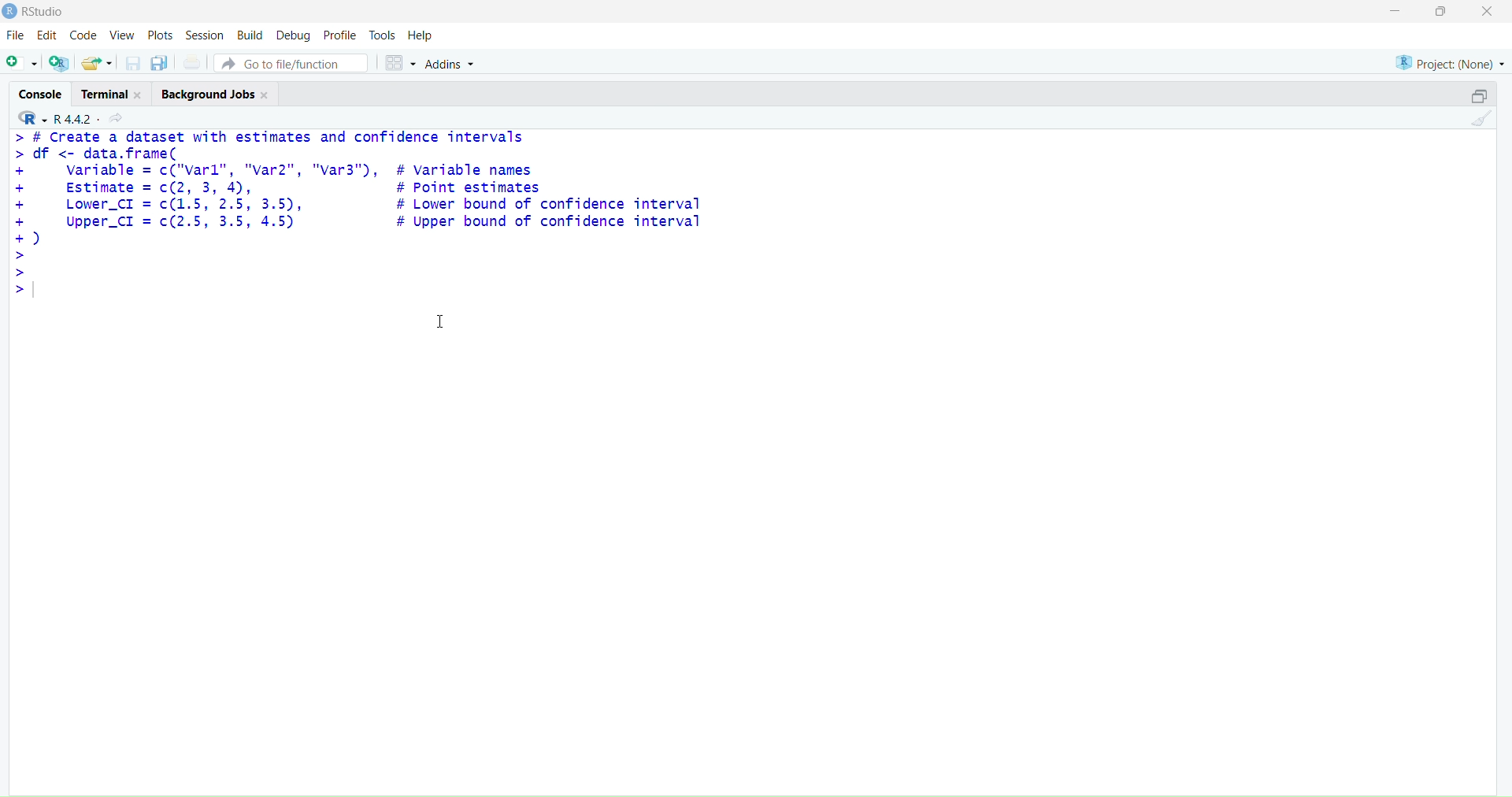  I want to click on cursor, so click(439, 323).